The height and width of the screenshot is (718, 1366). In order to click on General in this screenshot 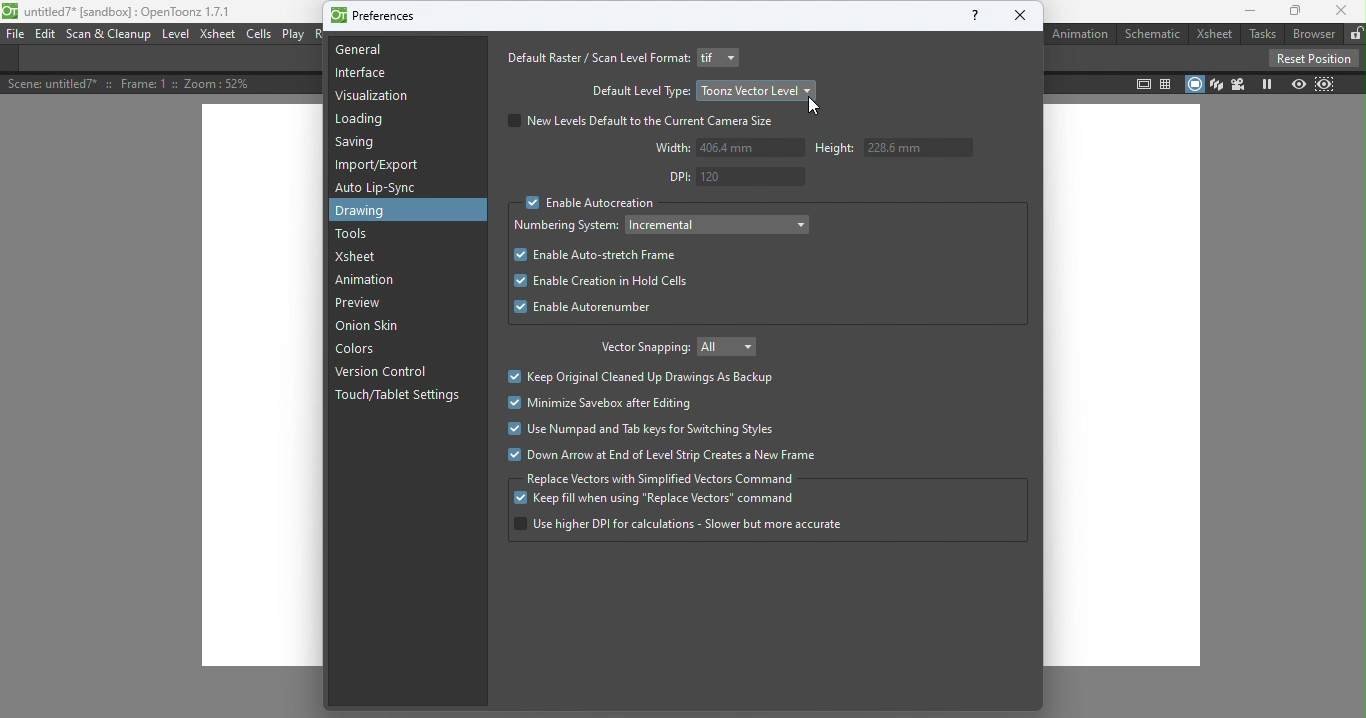, I will do `click(368, 52)`.